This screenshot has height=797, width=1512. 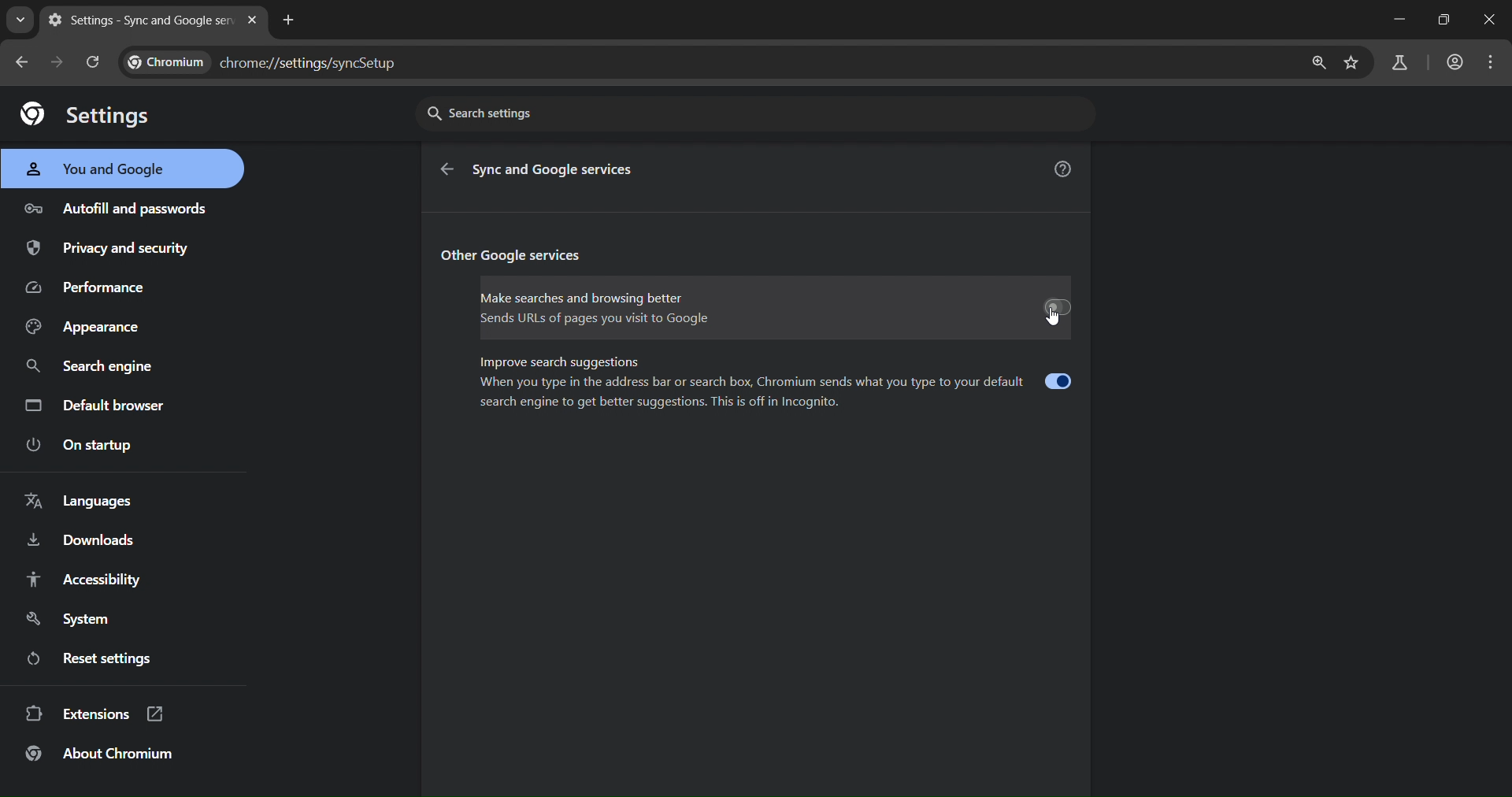 I want to click on reset settings, so click(x=107, y=658).